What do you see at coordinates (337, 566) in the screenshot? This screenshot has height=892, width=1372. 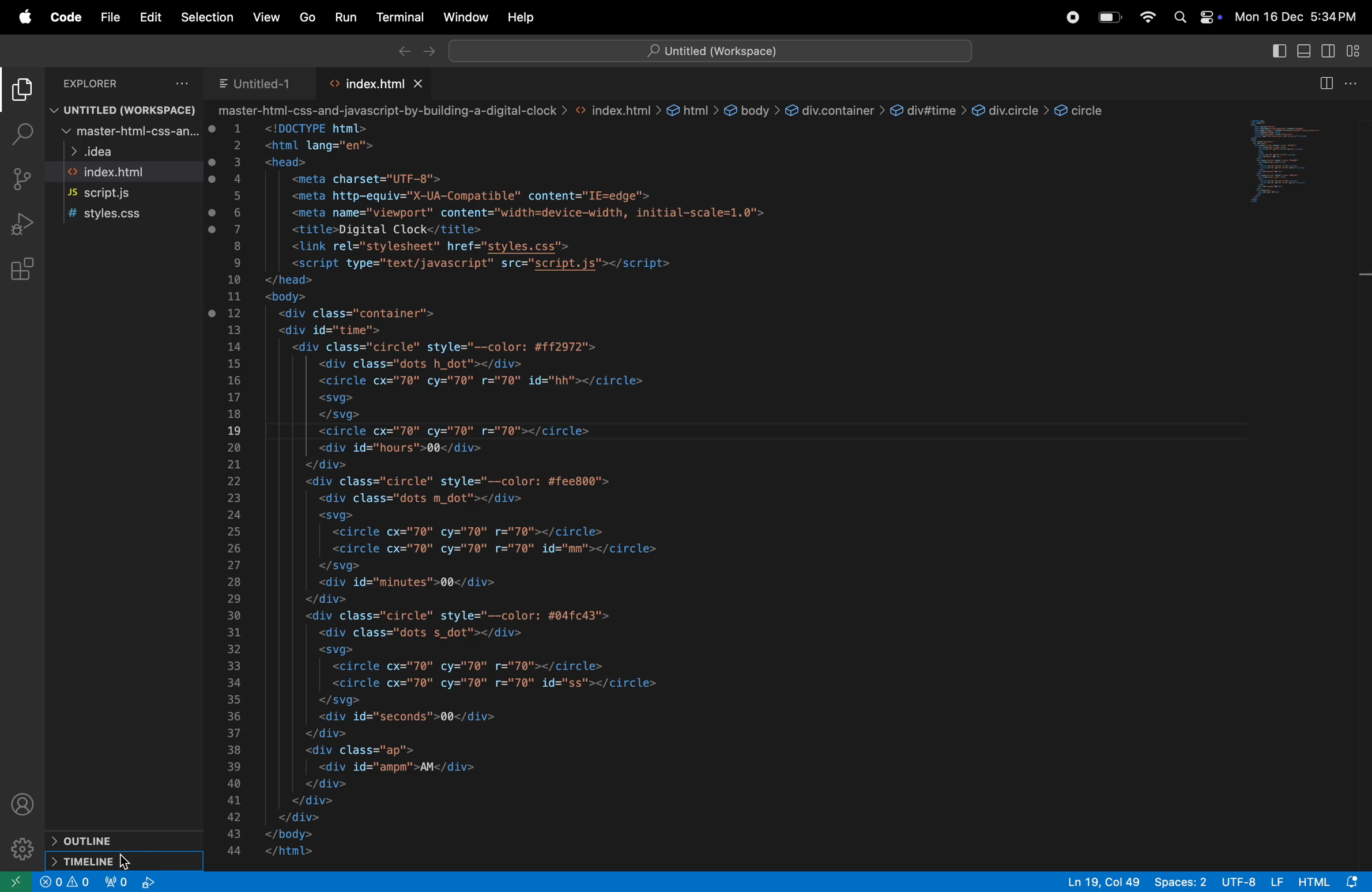 I see `</svg>` at bounding box center [337, 566].